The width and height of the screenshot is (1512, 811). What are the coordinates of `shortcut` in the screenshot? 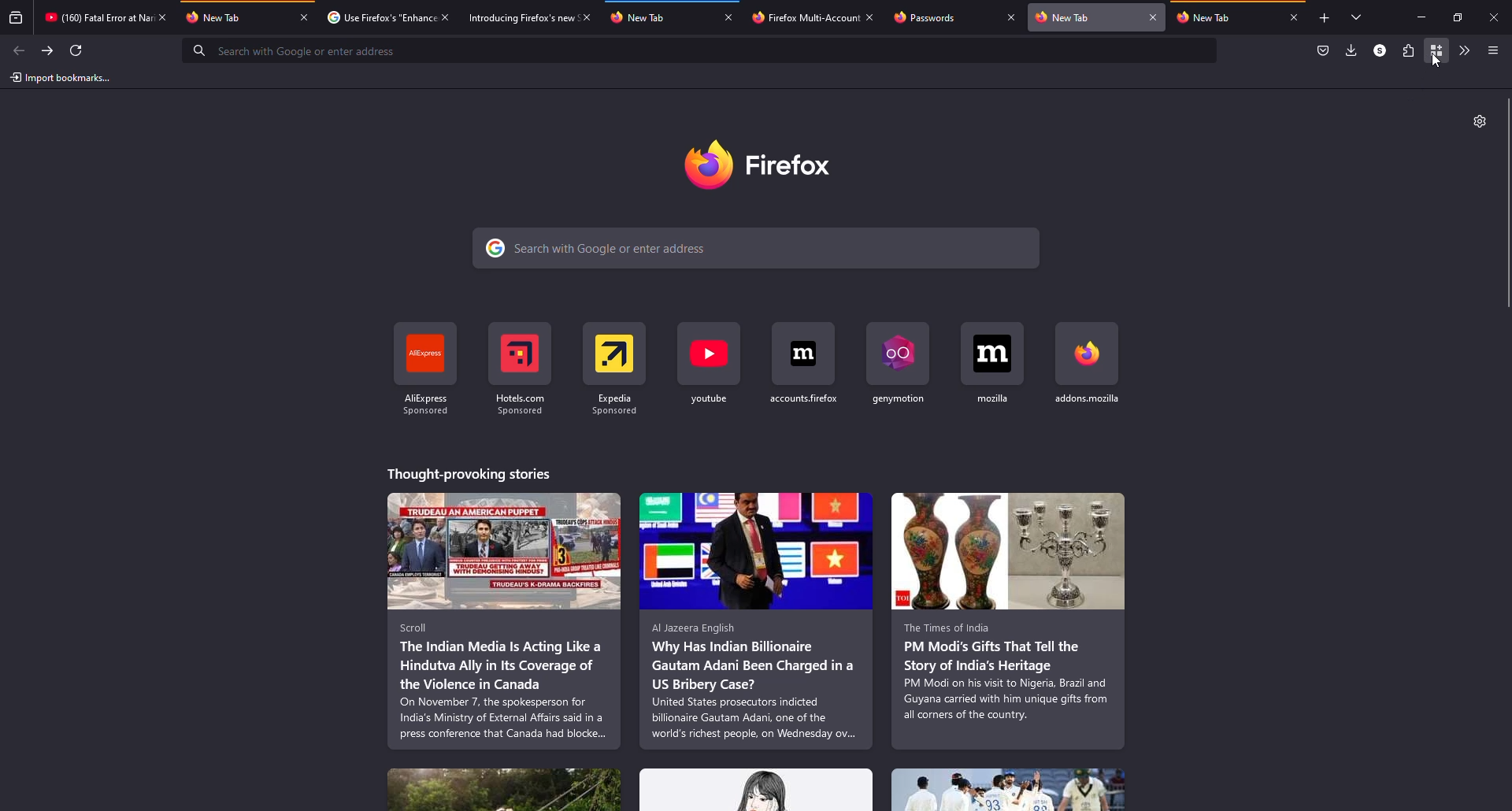 It's located at (902, 363).